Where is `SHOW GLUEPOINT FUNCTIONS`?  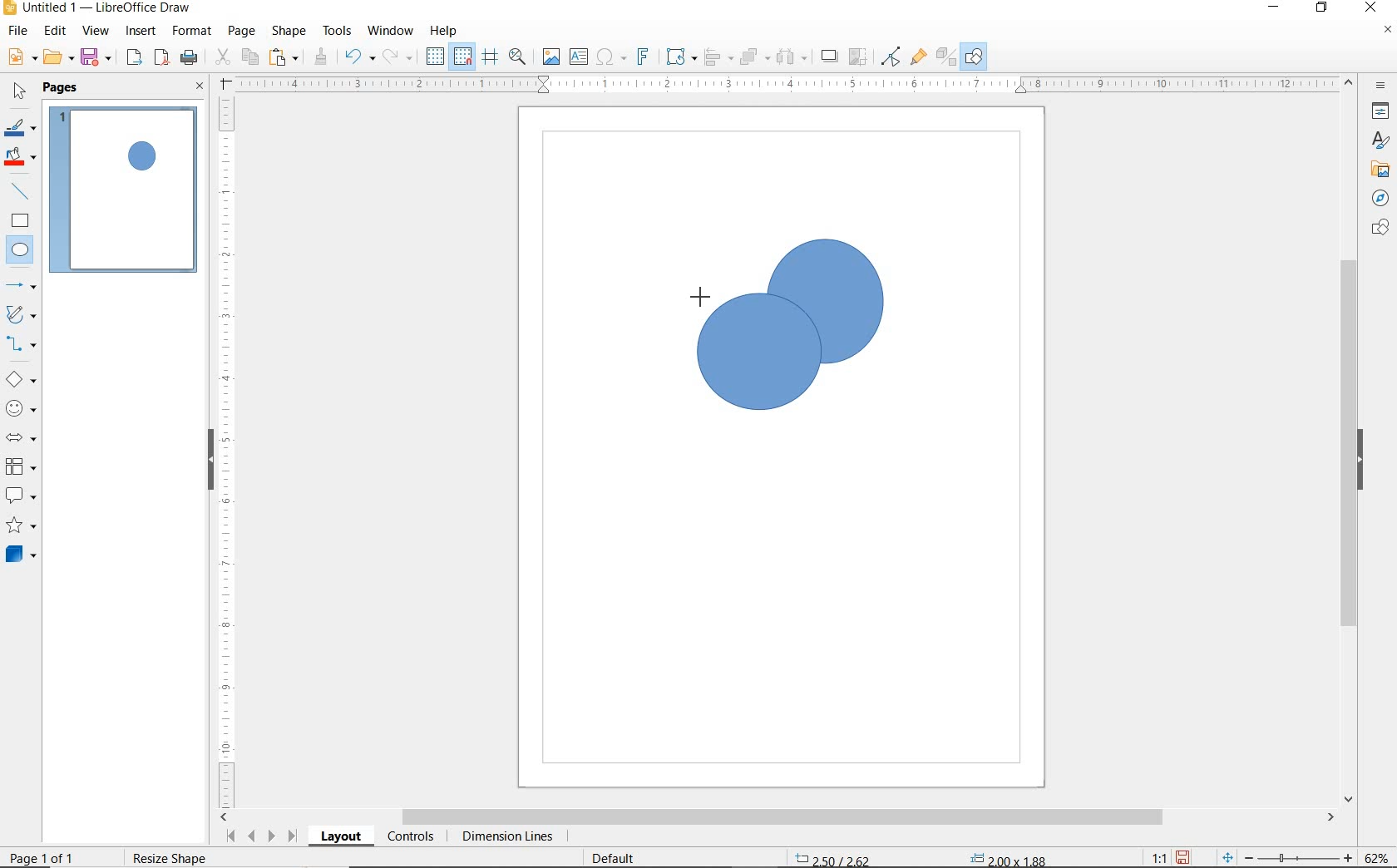
SHOW GLUEPOINT FUNCTIONS is located at coordinates (918, 57).